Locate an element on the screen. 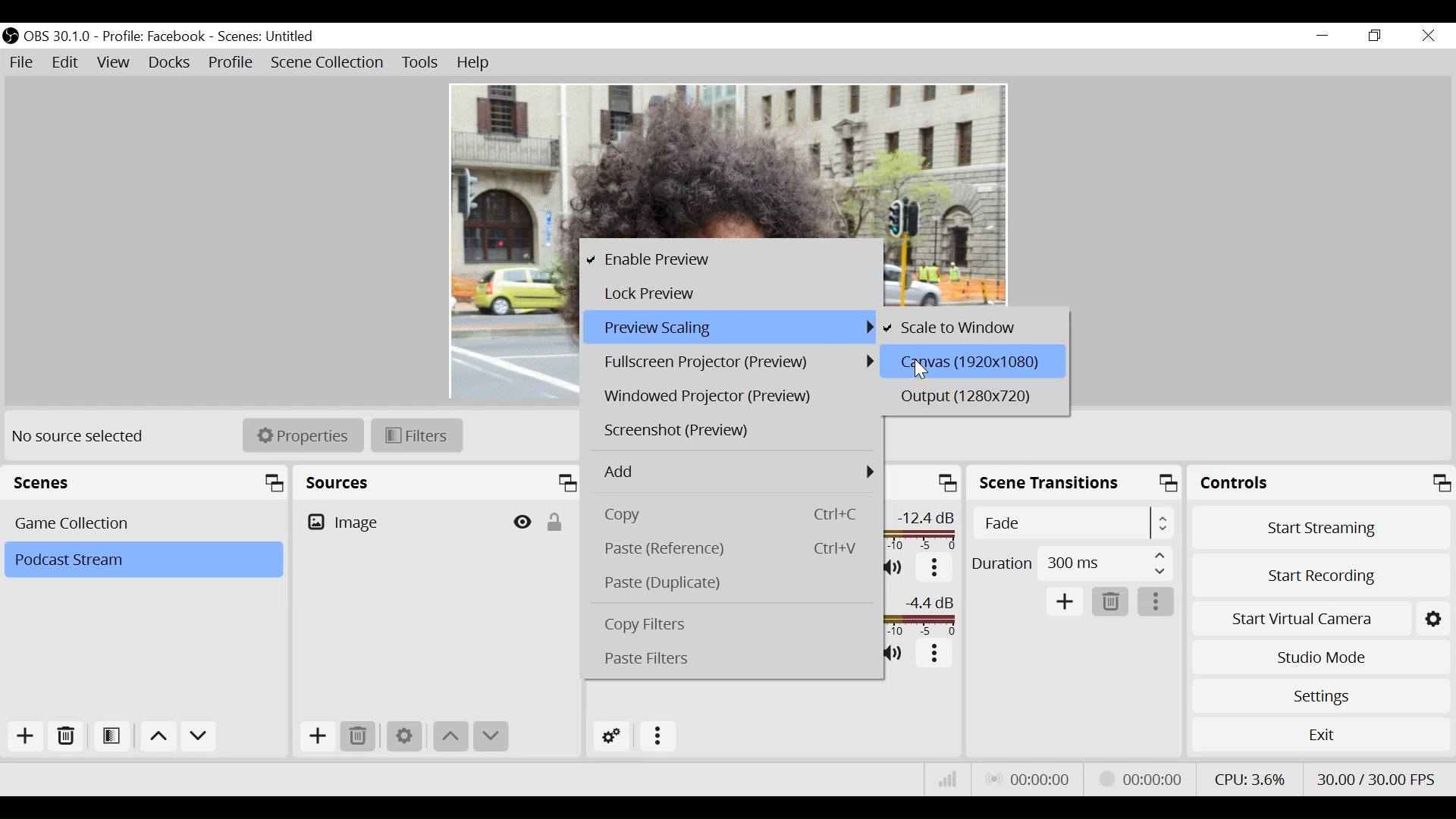 The image size is (1456, 819). Move up is located at coordinates (452, 736).